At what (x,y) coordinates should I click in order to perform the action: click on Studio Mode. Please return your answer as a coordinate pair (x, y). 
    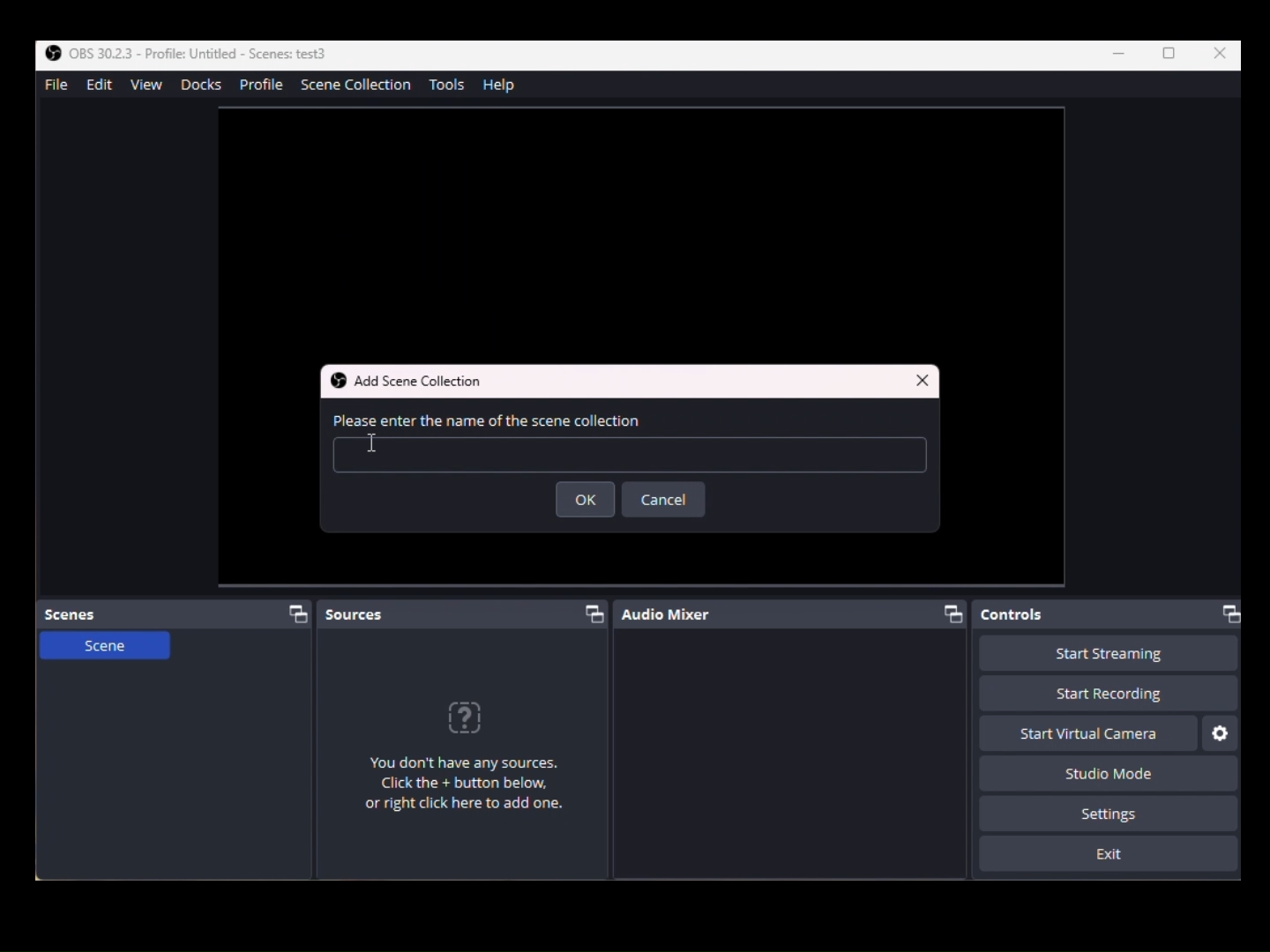
    Looking at the image, I should click on (1102, 772).